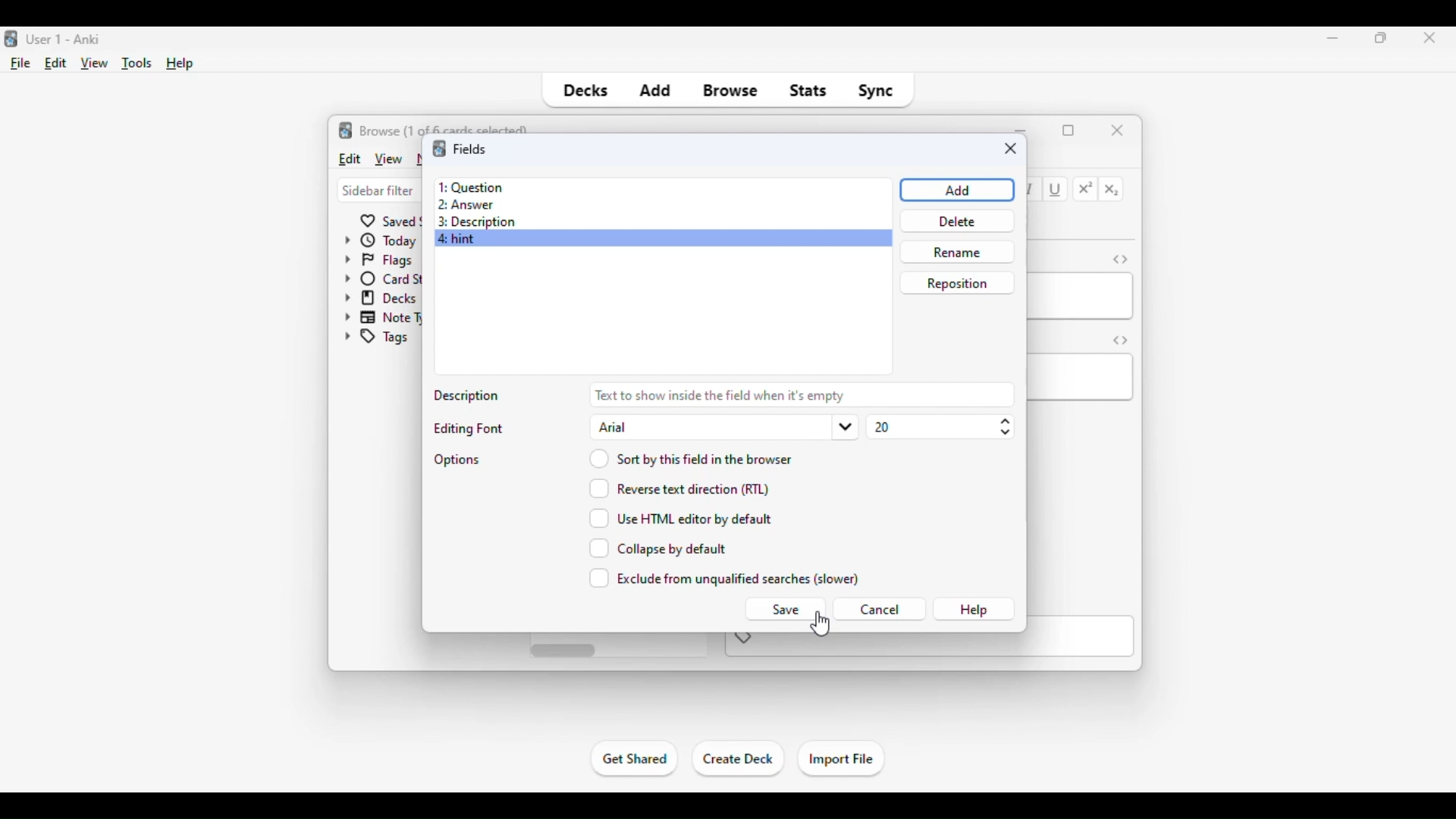 This screenshot has width=1456, height=819. I want to click on options, so click(458, 460).